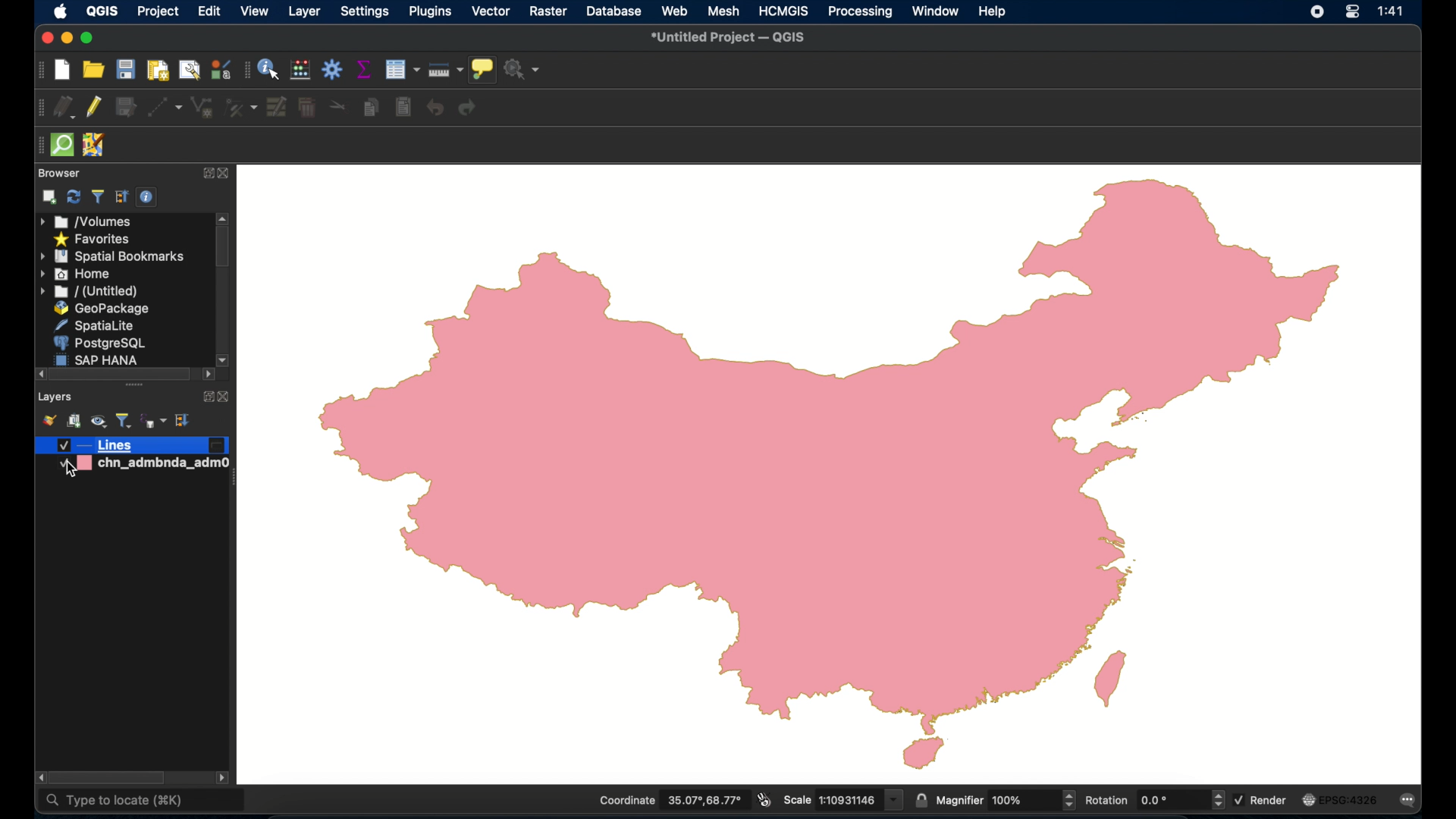  What do you see at coordinates (278, 107) in the screenshot?
I see `modify attributes` at bounding box center [278, 107].